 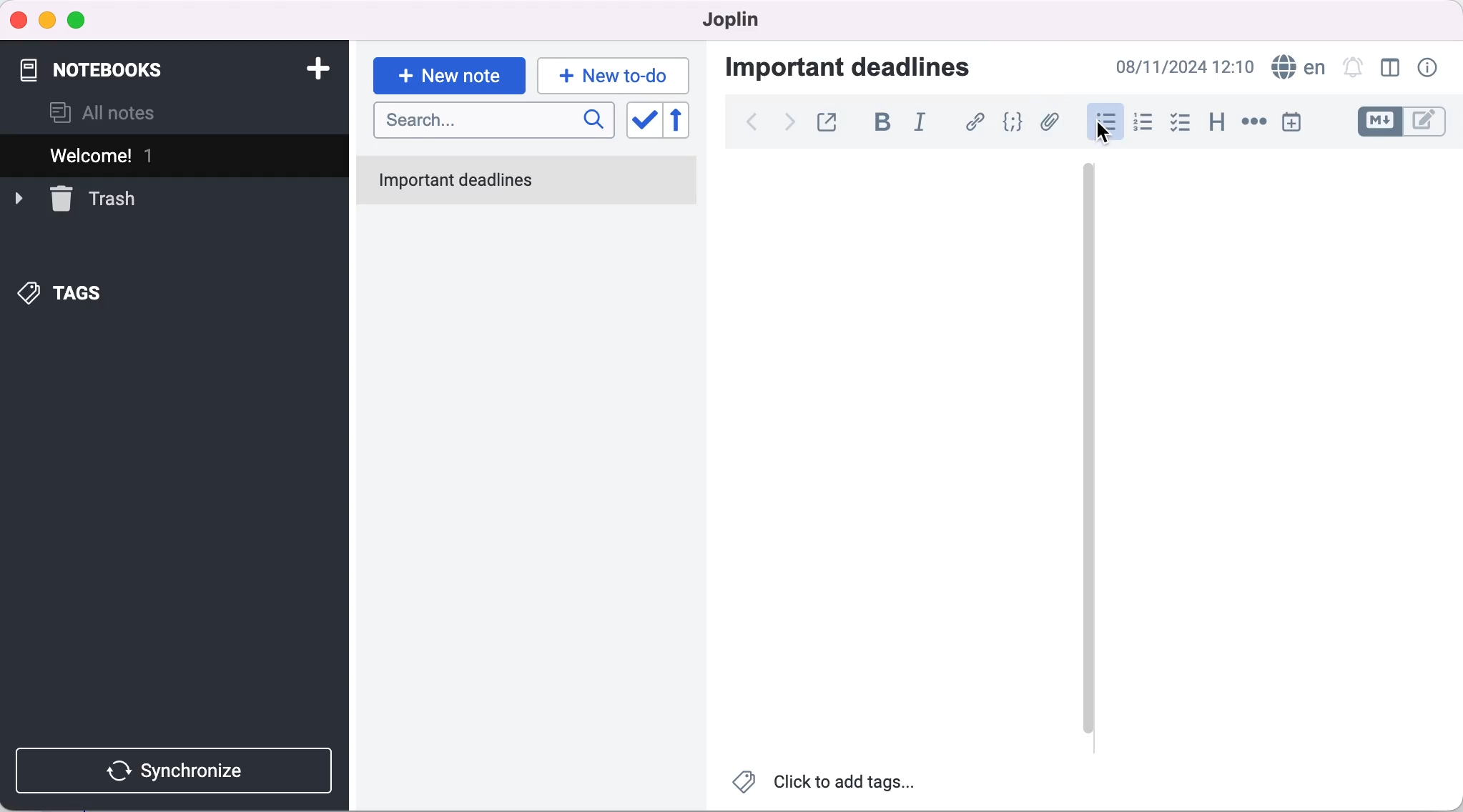 I want to click on minimize, so click(x=49, y=19).